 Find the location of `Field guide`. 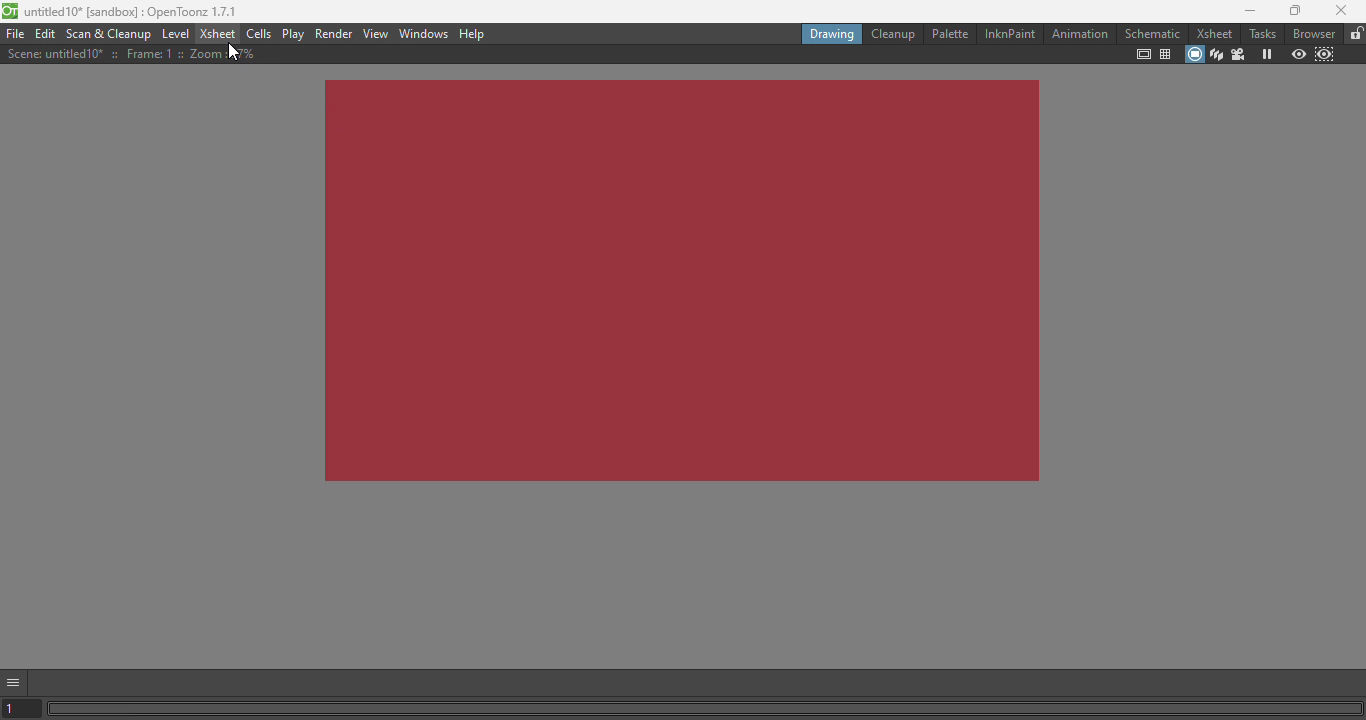

Field guide is located at coordinates (1164, 56).